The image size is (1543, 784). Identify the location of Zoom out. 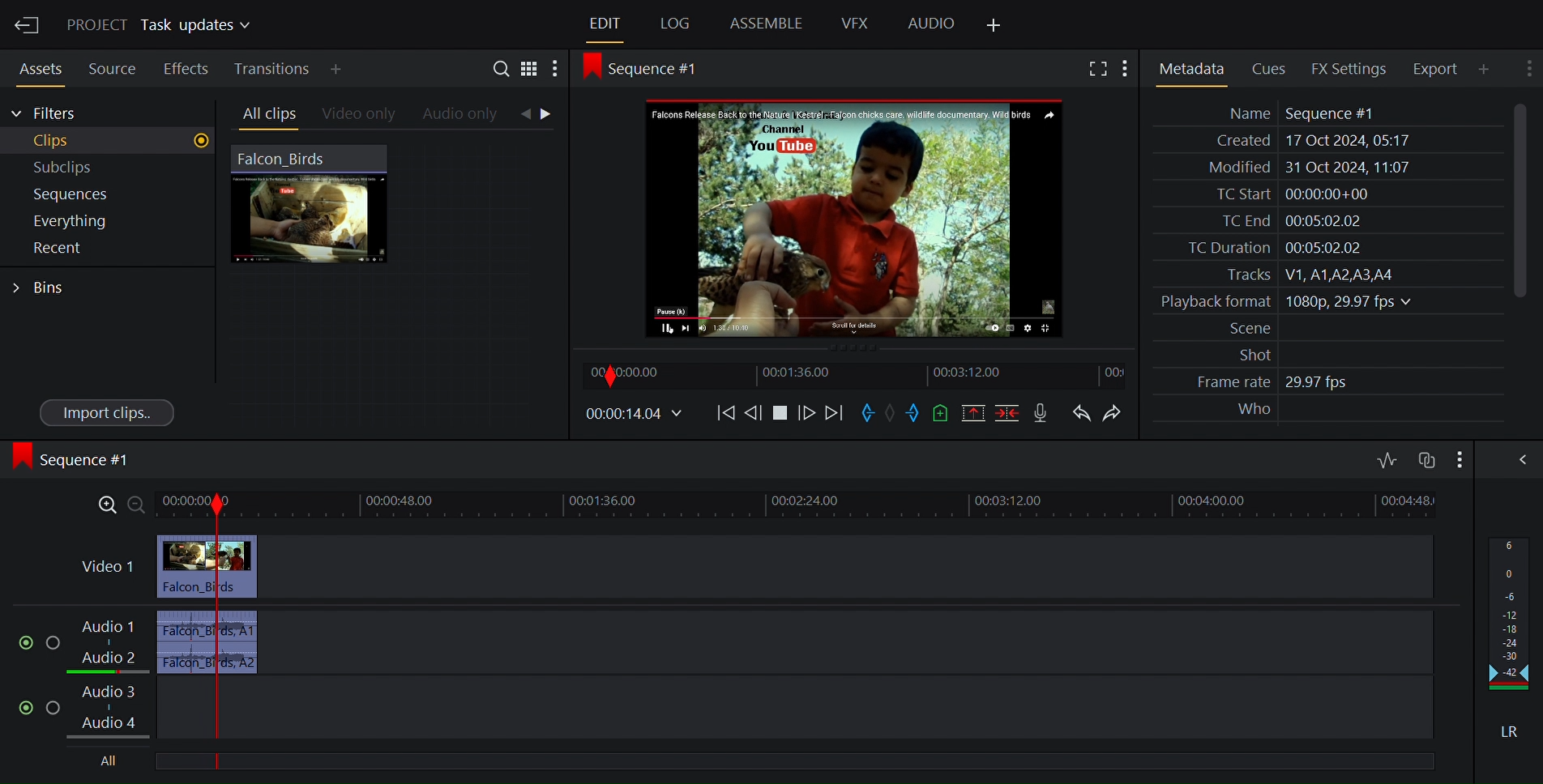
(138, 505).